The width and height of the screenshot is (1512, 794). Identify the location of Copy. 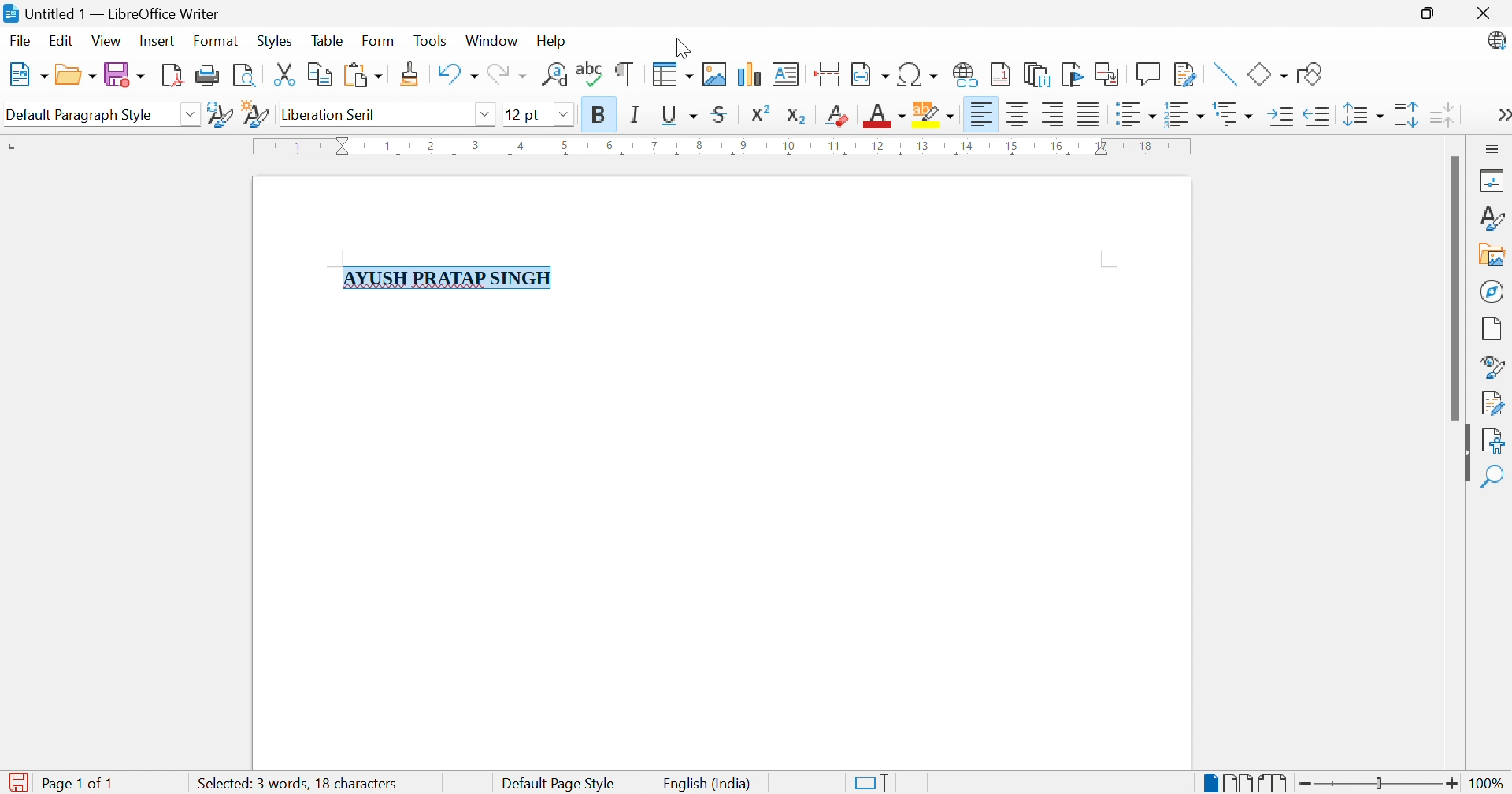
(321, 74).